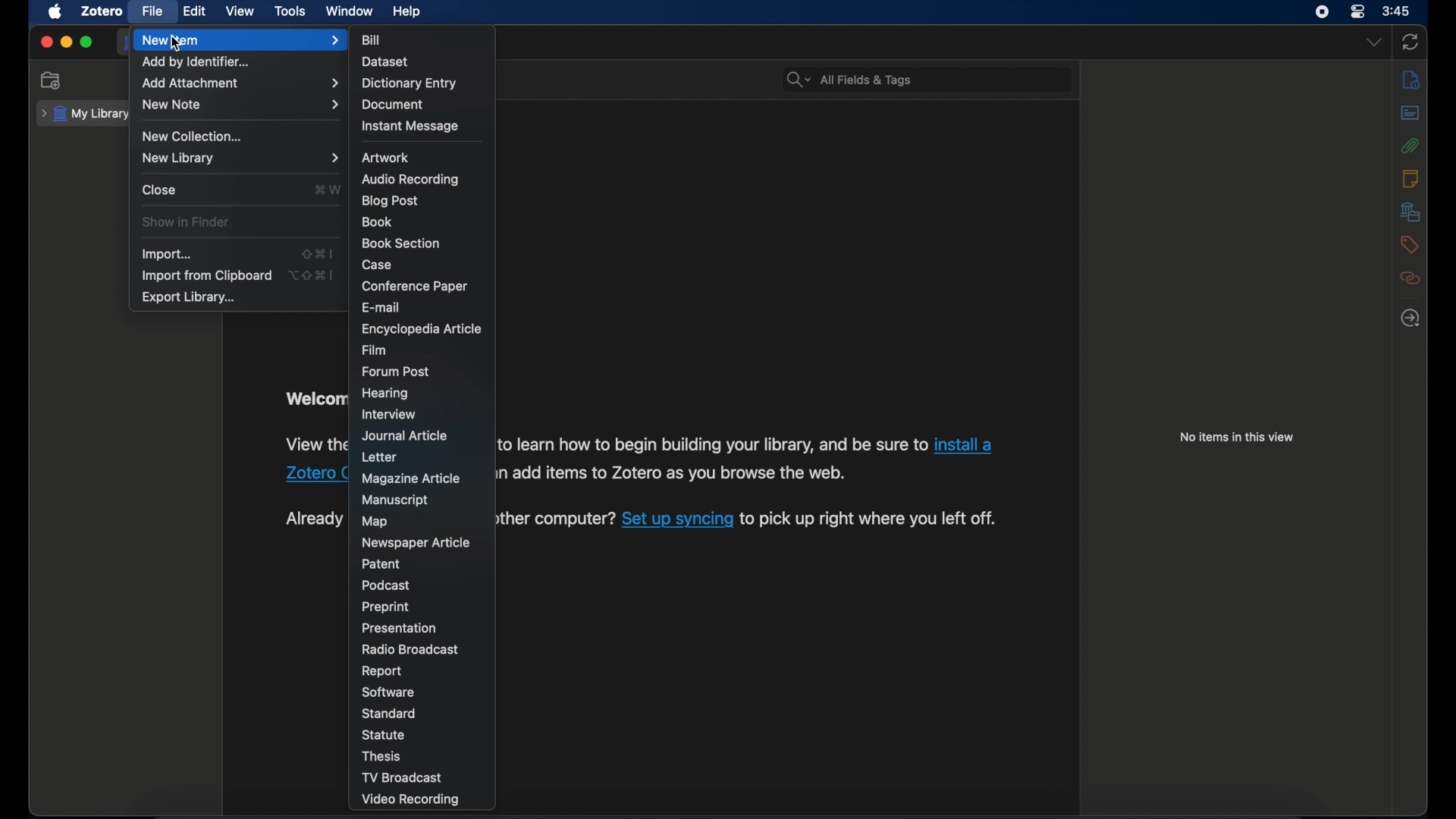  What do you see at coordinates (417, 541) in the screenshot?
I see `newspaper article` at bounding box center [417, 541].